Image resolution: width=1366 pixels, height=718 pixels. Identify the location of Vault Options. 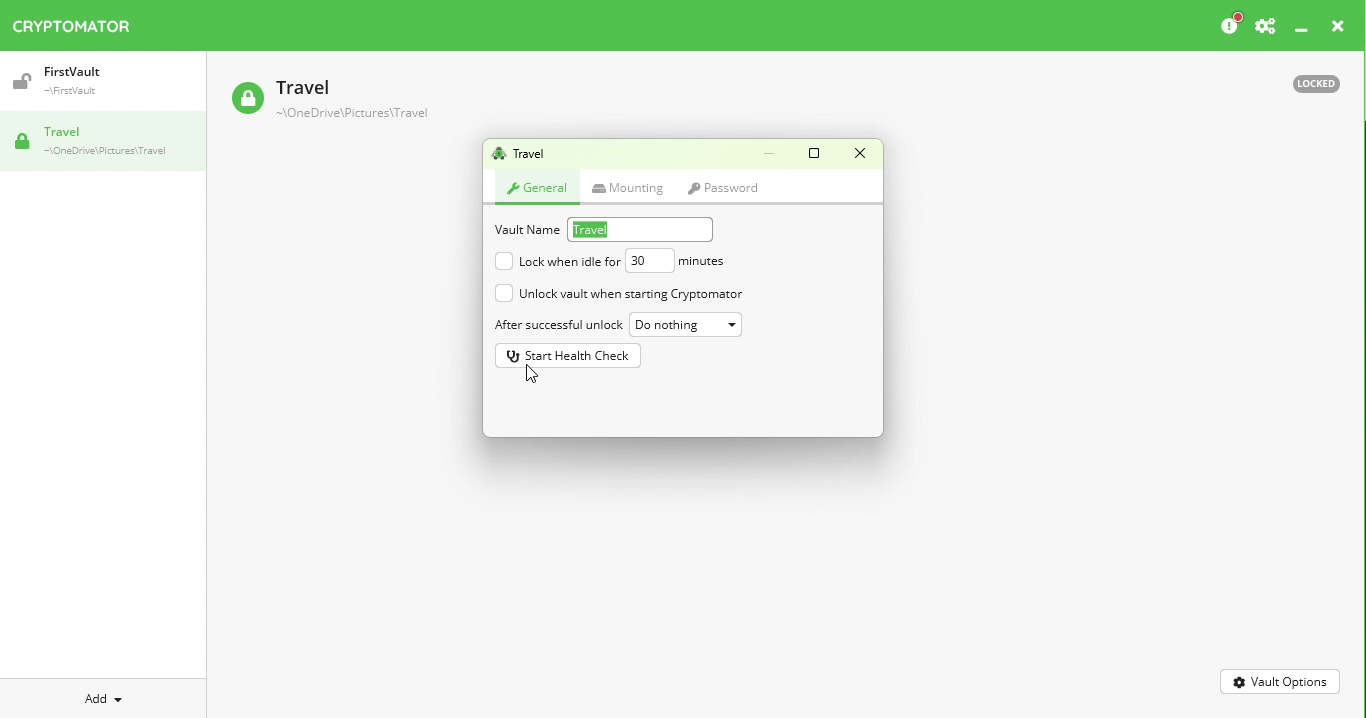
(1261, 679).